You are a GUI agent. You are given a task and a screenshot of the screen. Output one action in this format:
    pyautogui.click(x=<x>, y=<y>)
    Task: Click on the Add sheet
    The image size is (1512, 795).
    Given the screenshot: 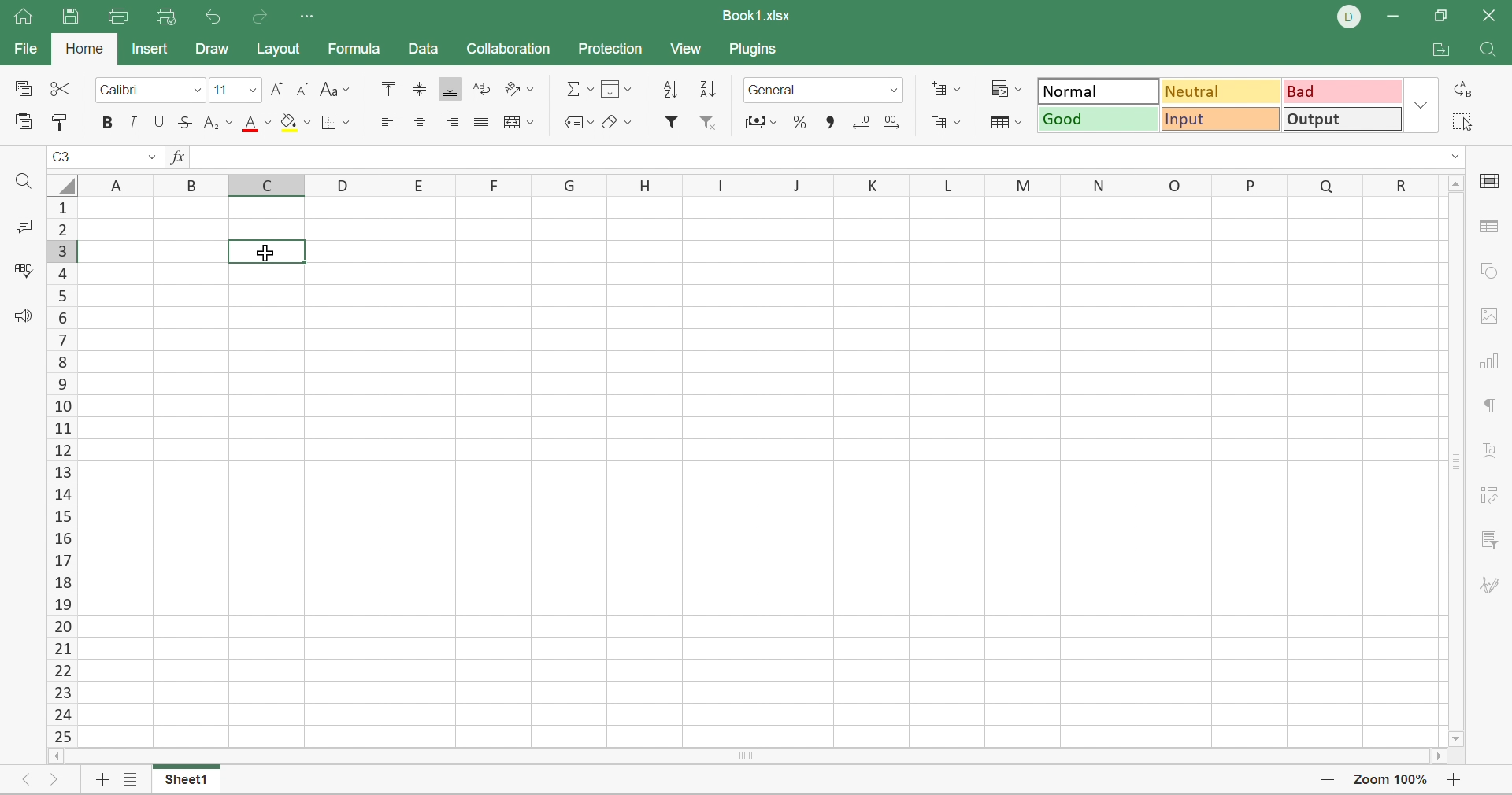 What is the action you would take?
    pyautogui.click(x=101, y=781)
    